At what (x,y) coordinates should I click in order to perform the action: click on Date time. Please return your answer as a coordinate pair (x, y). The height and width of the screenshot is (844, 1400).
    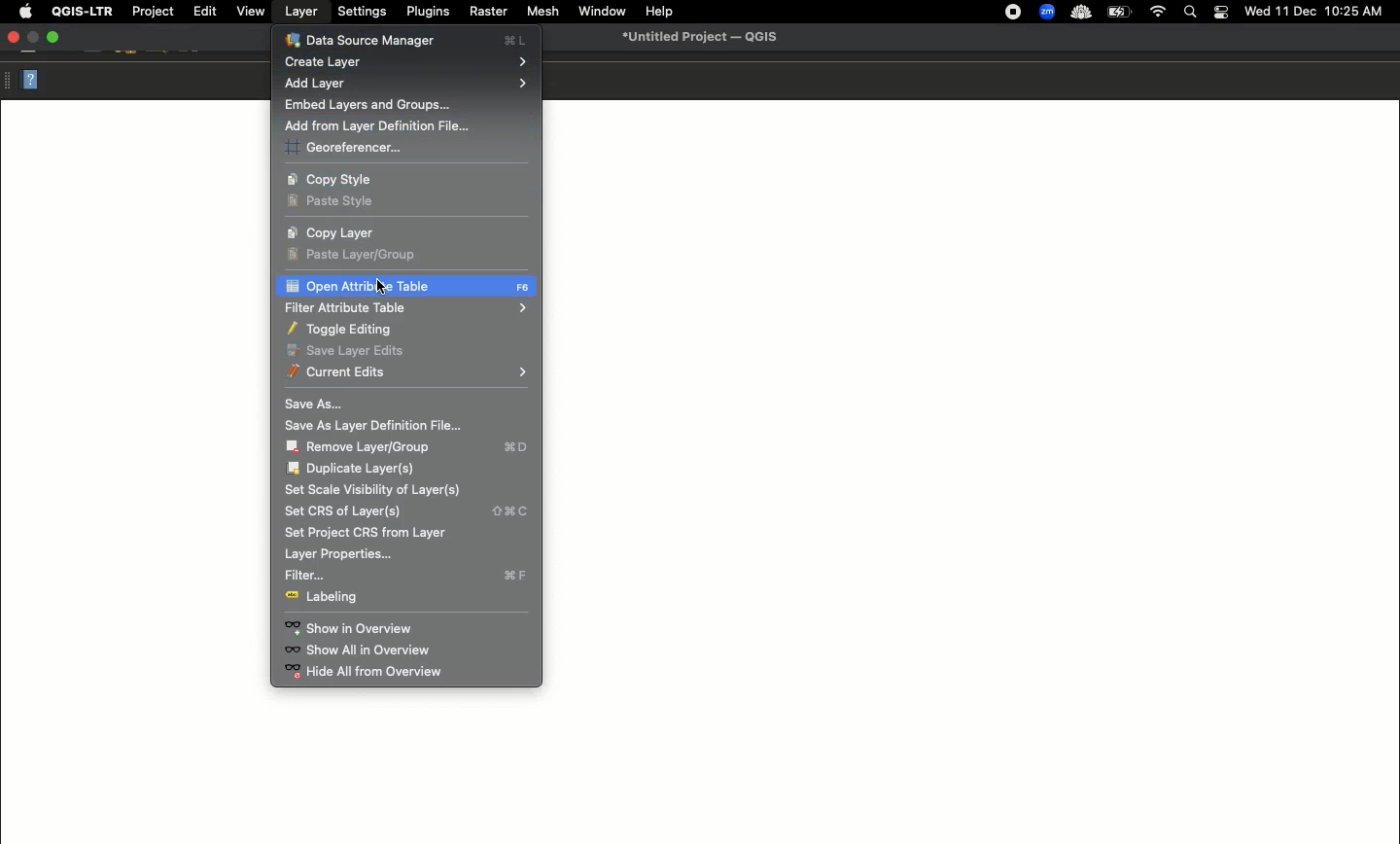
    Looking at the image, I should click on (1313, 11).